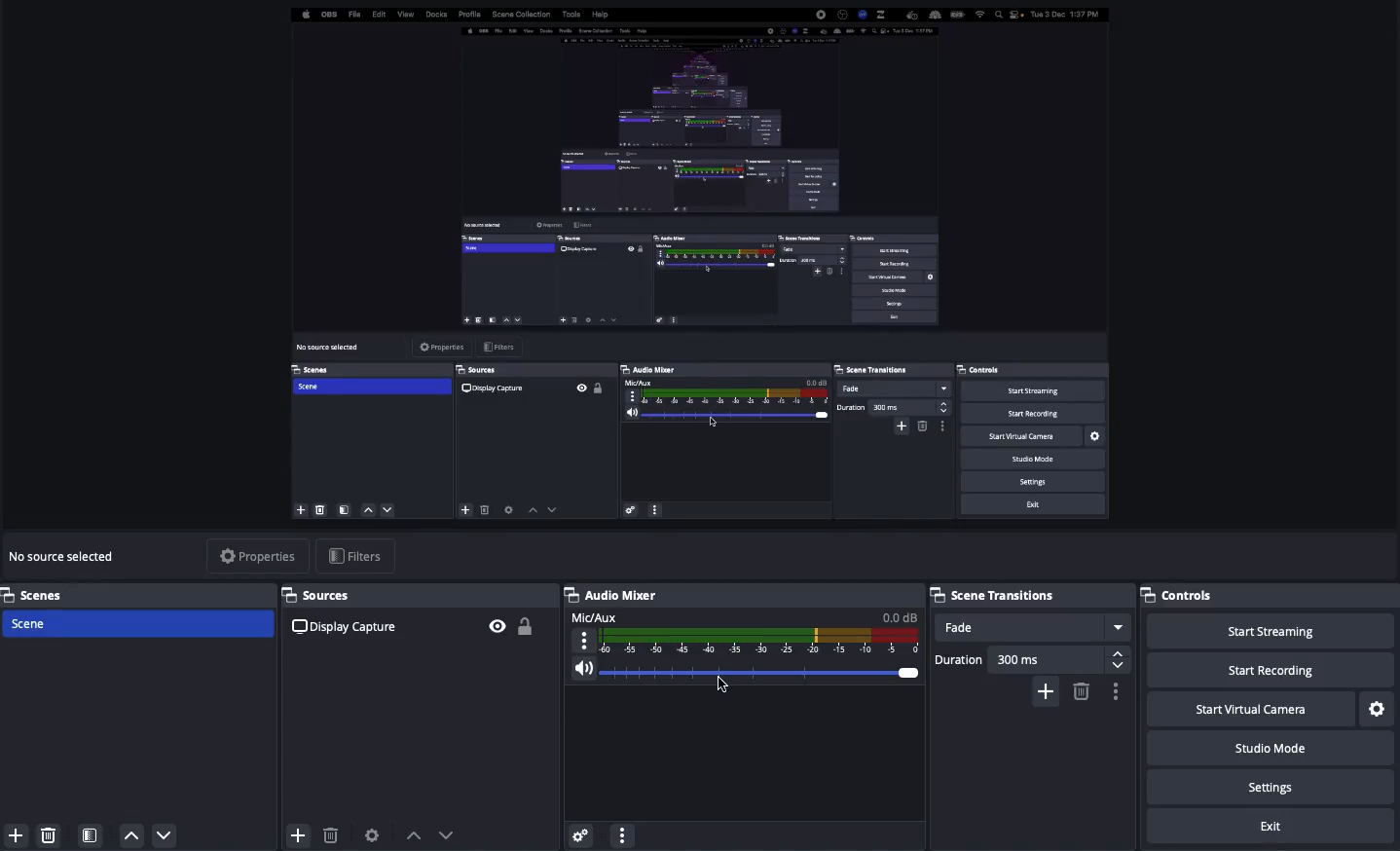 The image size is (1400, 851). What do you see at coordinates (296, 832) in the screenshot?
I see `Add` at bounding box center [296, 832].